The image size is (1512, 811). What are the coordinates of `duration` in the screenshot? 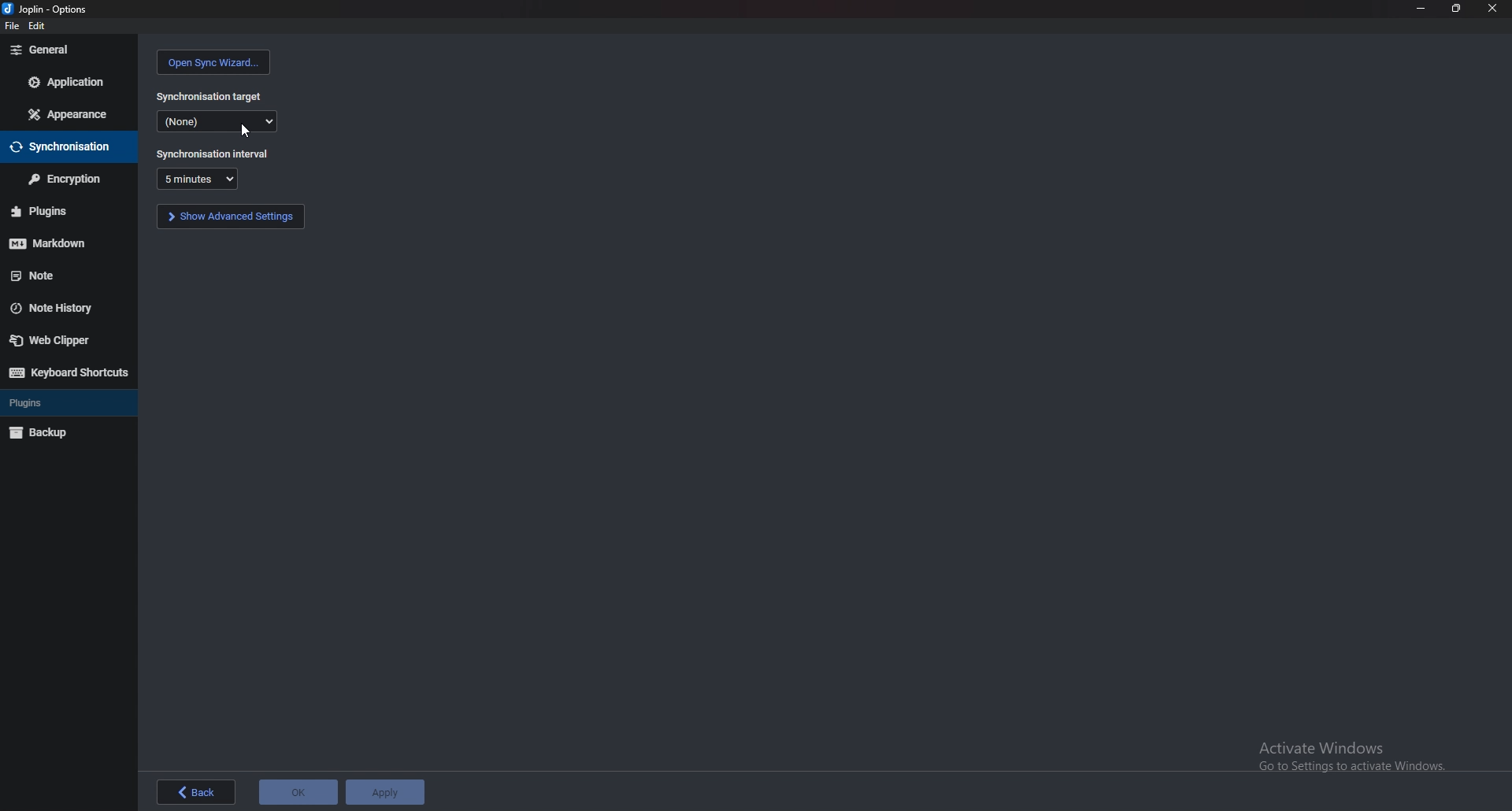 It's located at (195, 180).